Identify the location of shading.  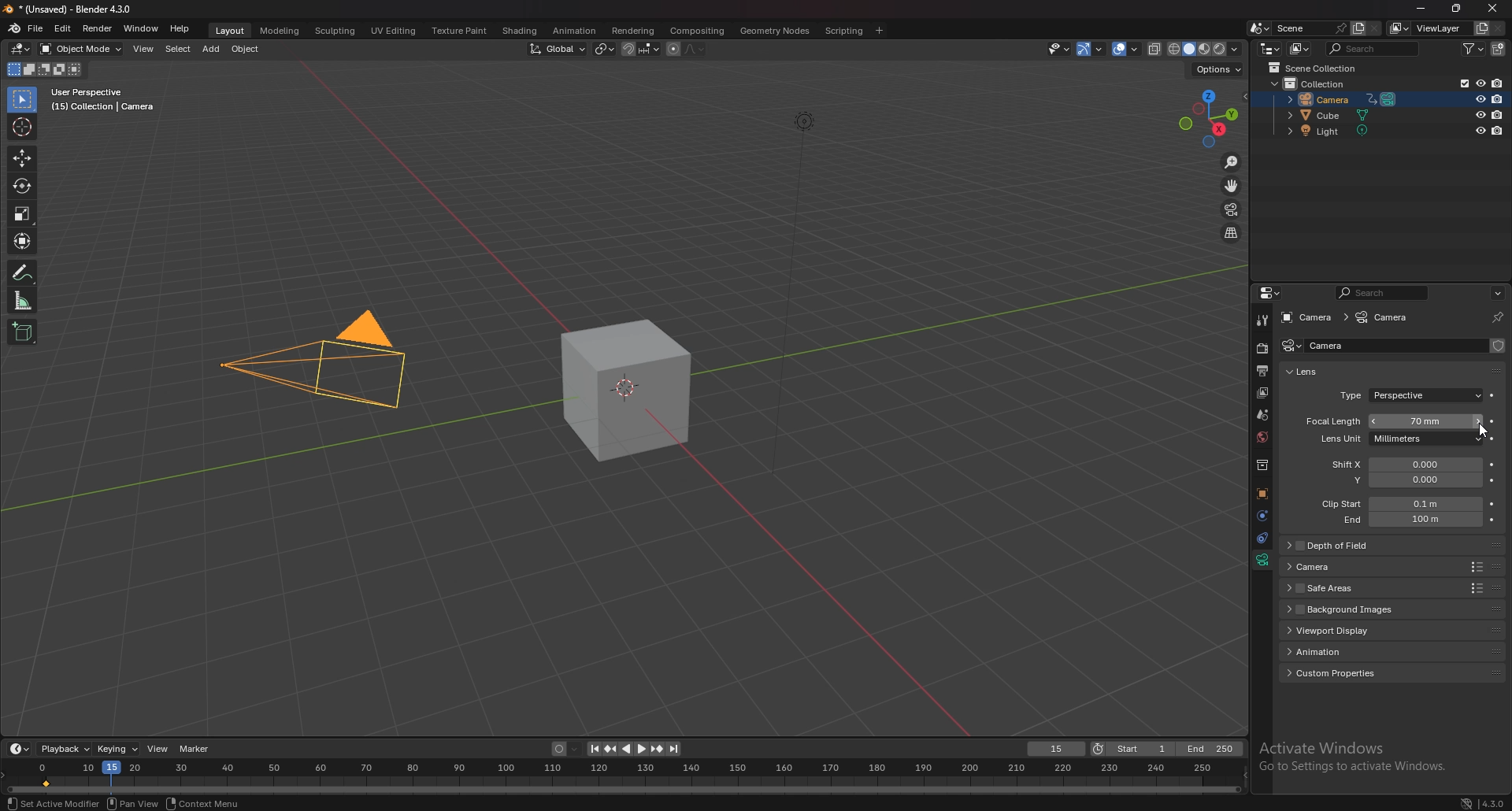
(520, 30).